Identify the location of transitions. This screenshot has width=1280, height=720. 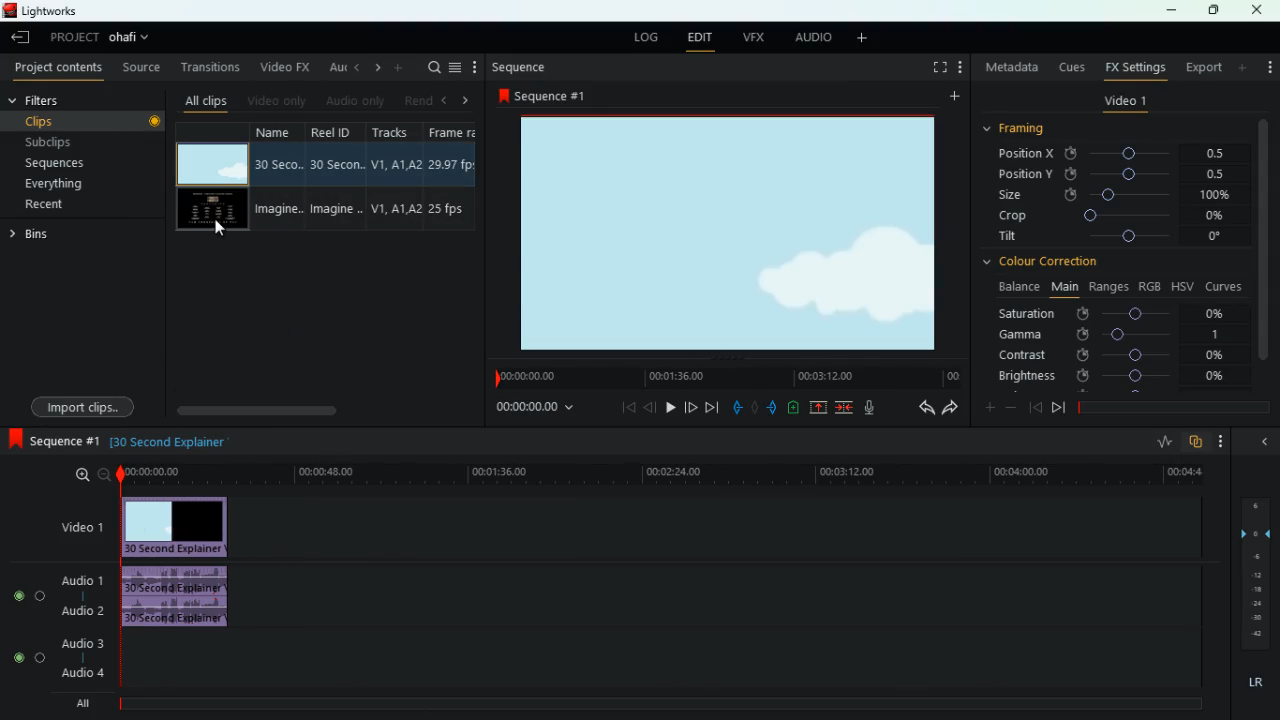
(212, 67).